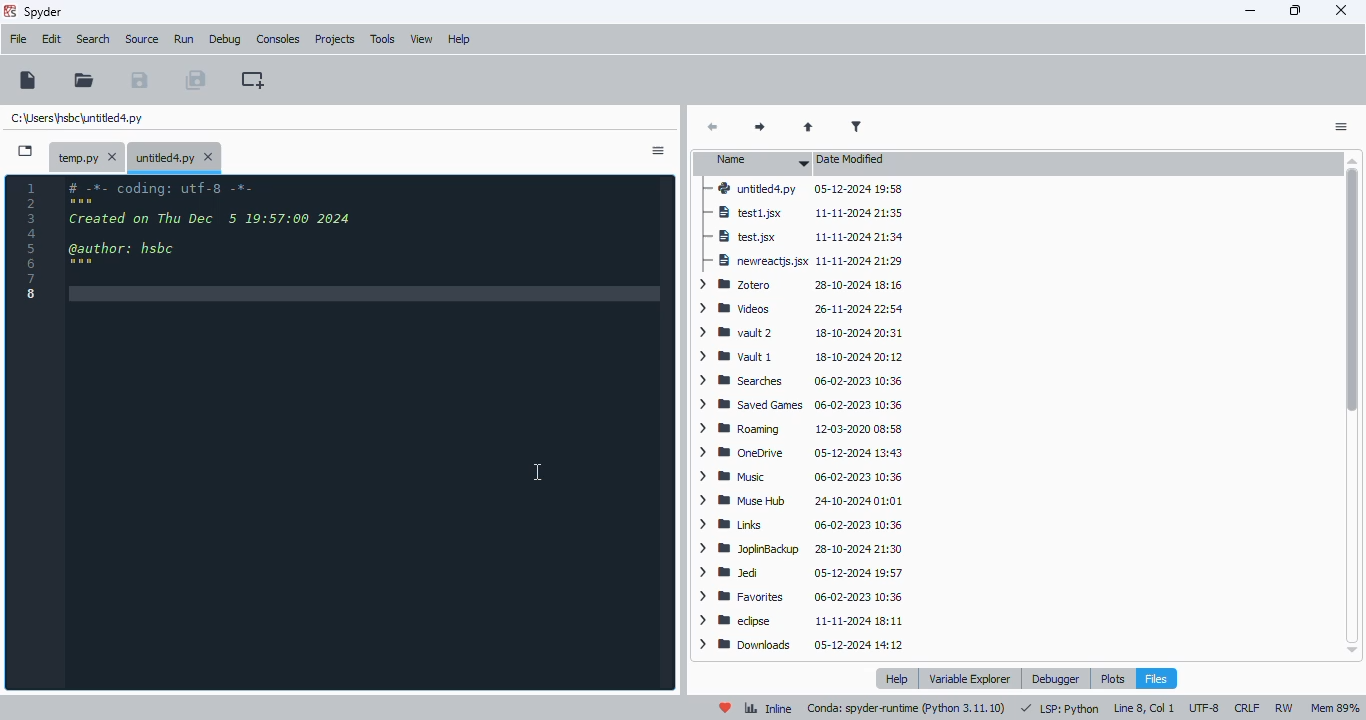 Image resolution: width=1366 pixels, height=720 pixels. What do you see at coordinates (1059, 709) in the screenshot?
I see `LSP: Python` at bounding box center [1059, 709].